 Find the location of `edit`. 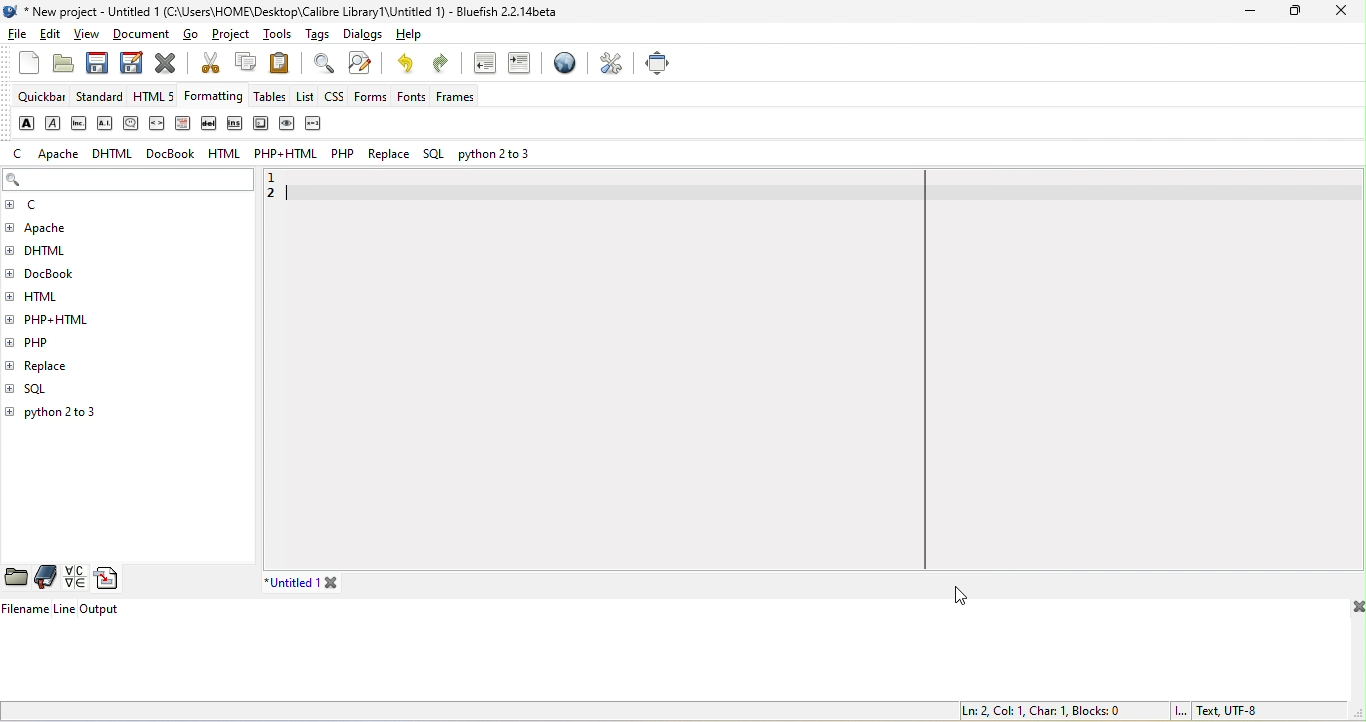

edit is located at coordinates (53, 37).